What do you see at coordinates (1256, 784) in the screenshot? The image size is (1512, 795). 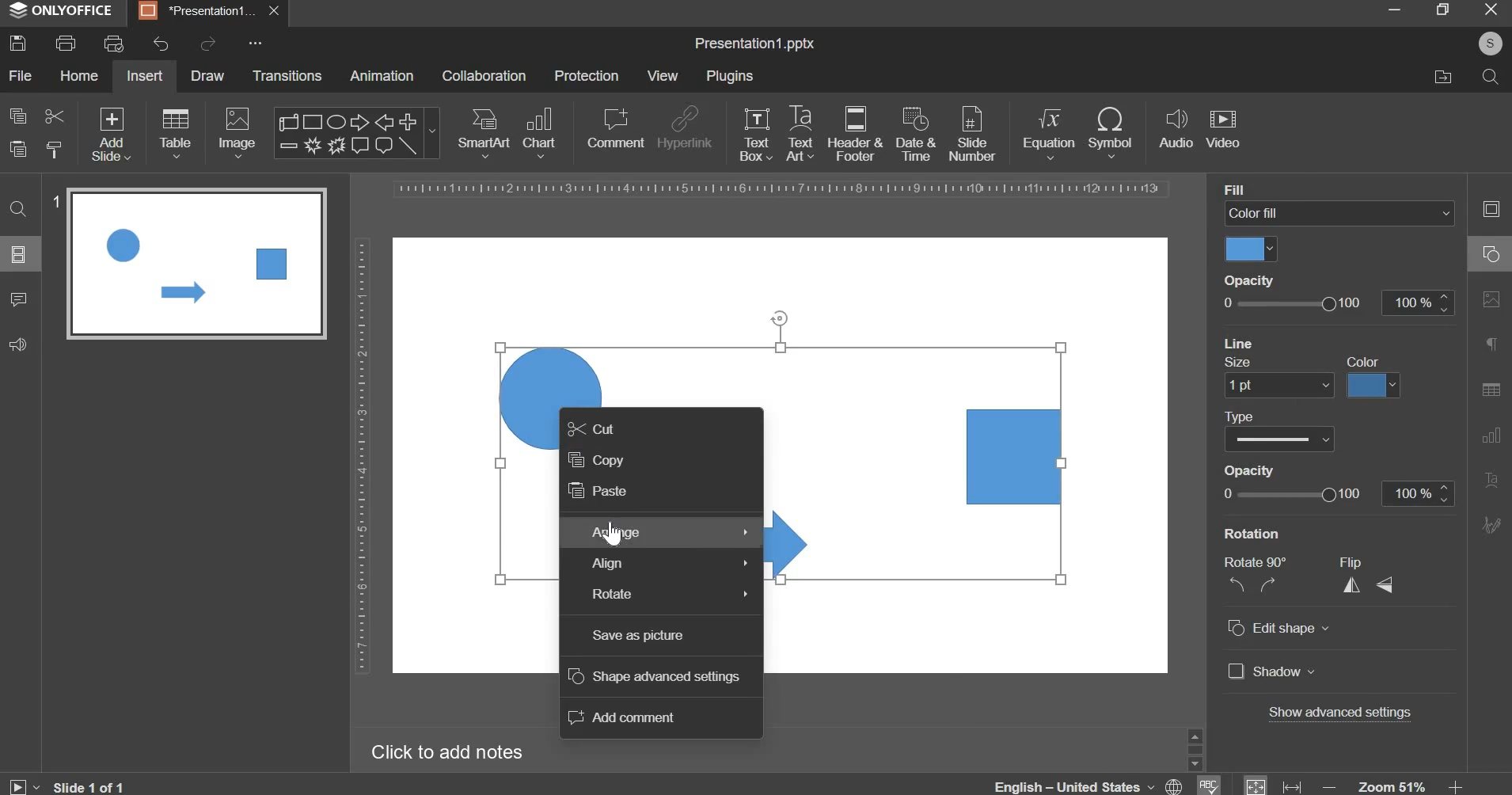 I see `fit to screen` at bounding box center [1256, 784].